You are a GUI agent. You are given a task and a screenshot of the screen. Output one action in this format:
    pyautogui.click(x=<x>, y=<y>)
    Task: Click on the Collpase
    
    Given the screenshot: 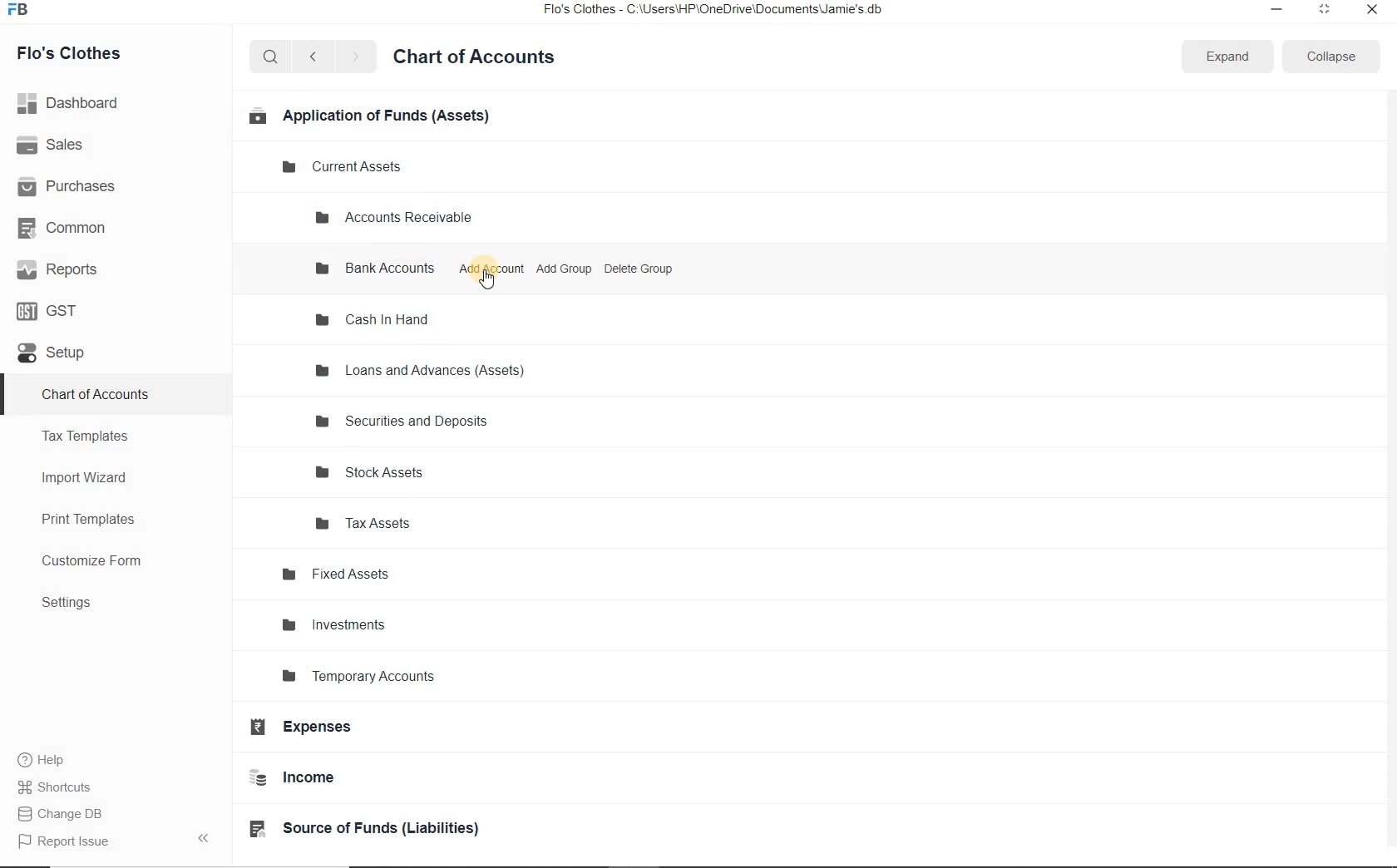 What is the action you would take?
    pyautogui.click(x=203, y=837)
    